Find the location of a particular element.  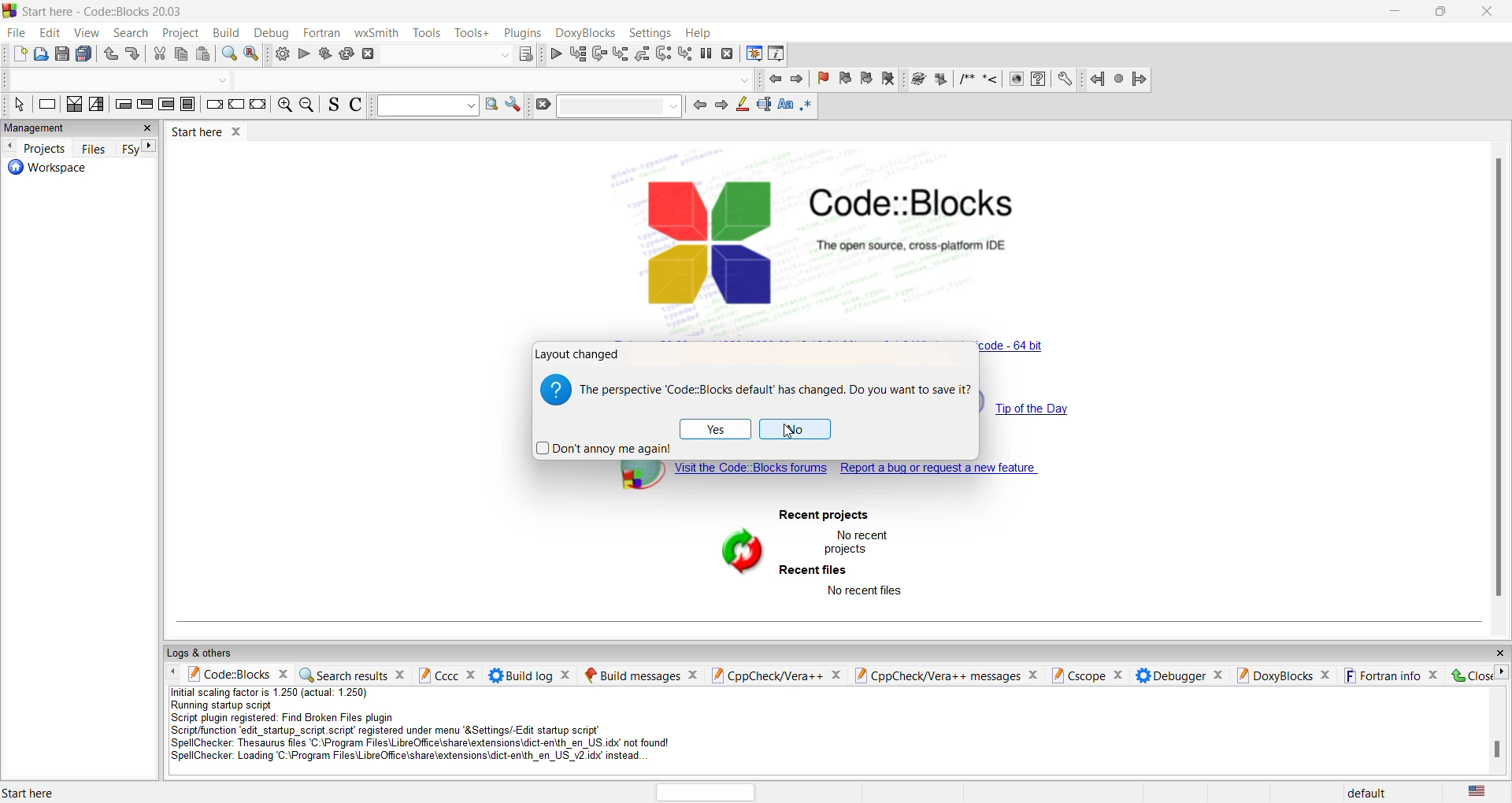

plugins is located at coordinates (523, 33).